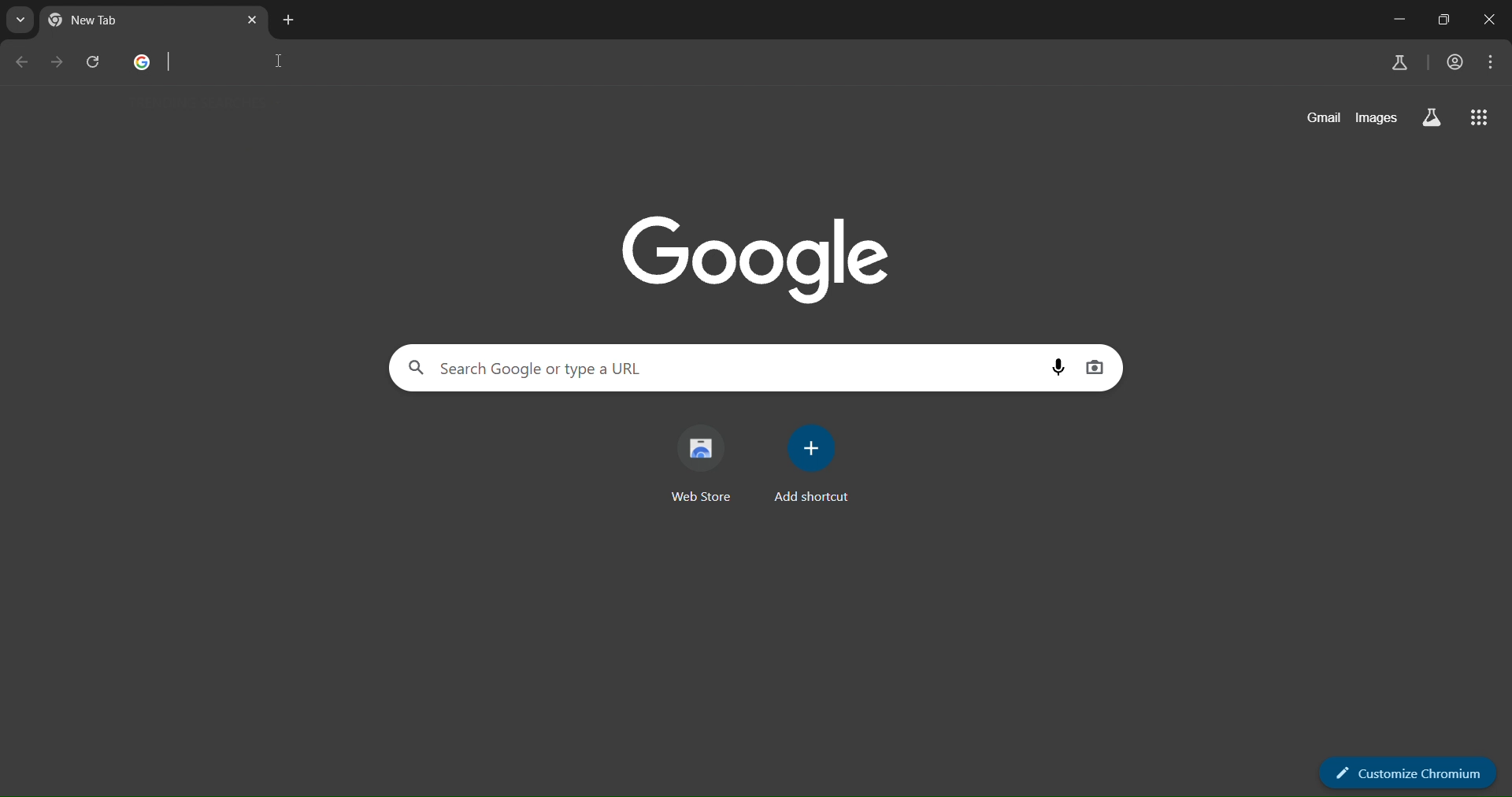 This screenshot has height=797, width=1512. What do you see at coordinates (280, 65) in the screenshot?
I see `cursor` at bounding box center [280, 65].